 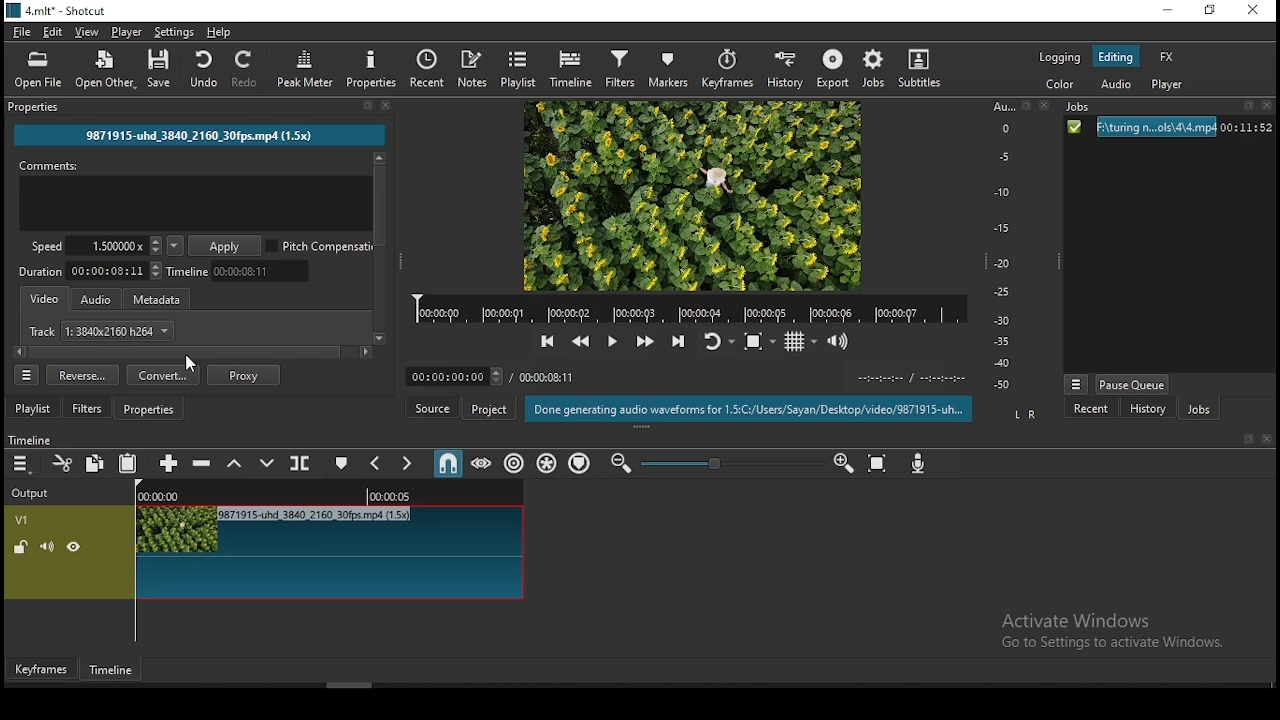 I want to click on recent, so click(x=1092, y=409).